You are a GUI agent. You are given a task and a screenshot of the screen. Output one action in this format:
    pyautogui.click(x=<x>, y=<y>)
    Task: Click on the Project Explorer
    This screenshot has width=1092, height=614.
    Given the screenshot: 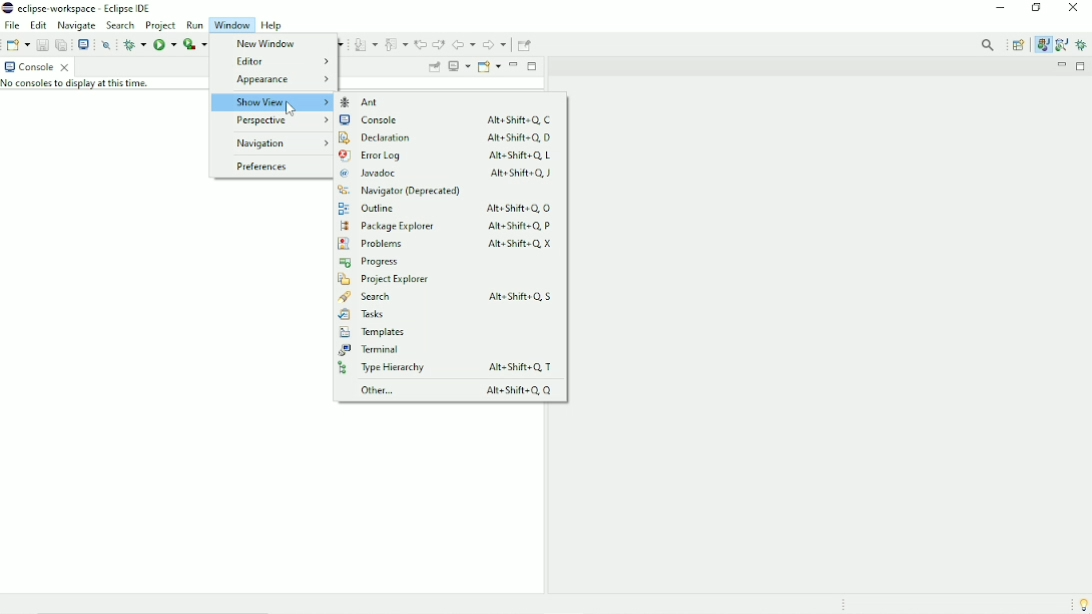 What is the action you would take?
    pyautogui.click(x=383, y=280)
    